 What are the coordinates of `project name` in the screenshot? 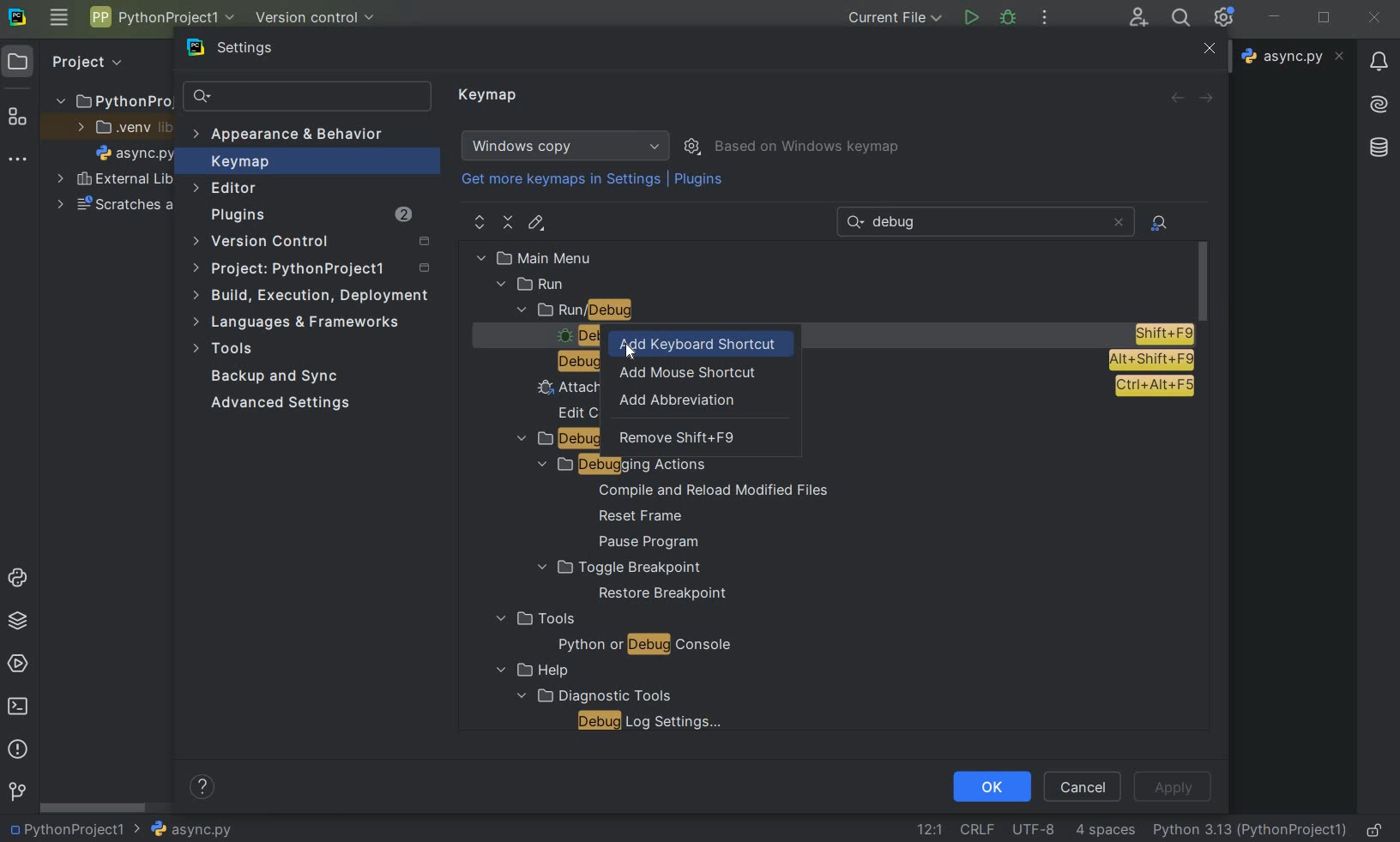 It's located at (112, 98).